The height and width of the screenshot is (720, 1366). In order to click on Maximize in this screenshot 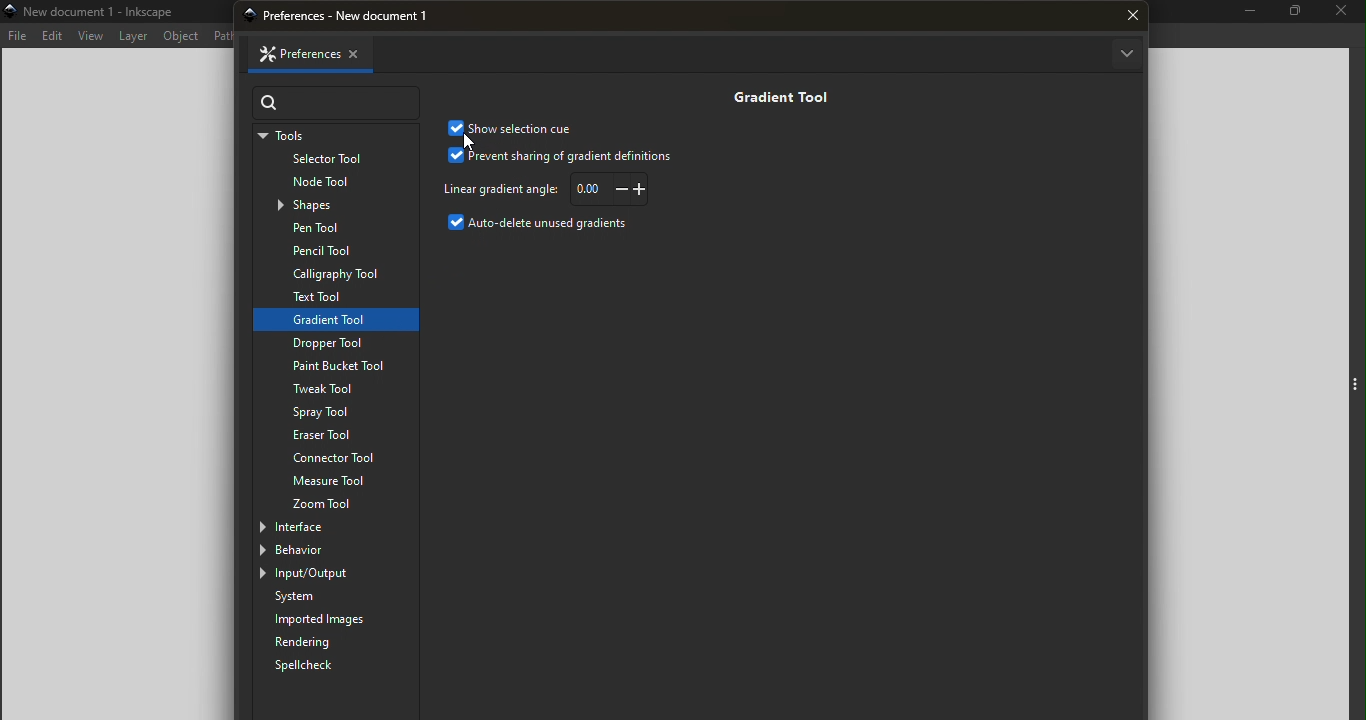, I will do `click(1293, 13)`.